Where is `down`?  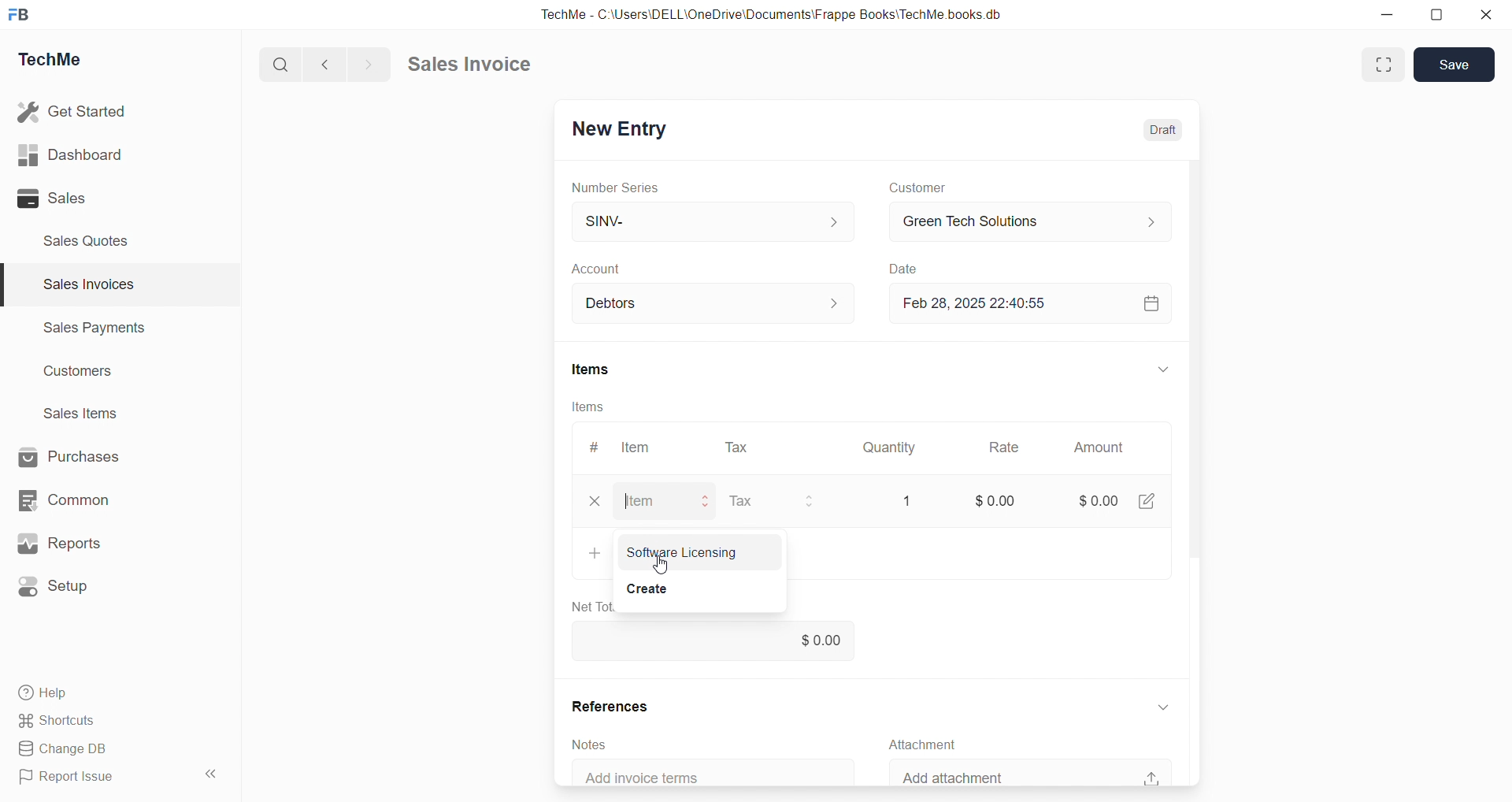 down is located at coordinates (1164, 369).